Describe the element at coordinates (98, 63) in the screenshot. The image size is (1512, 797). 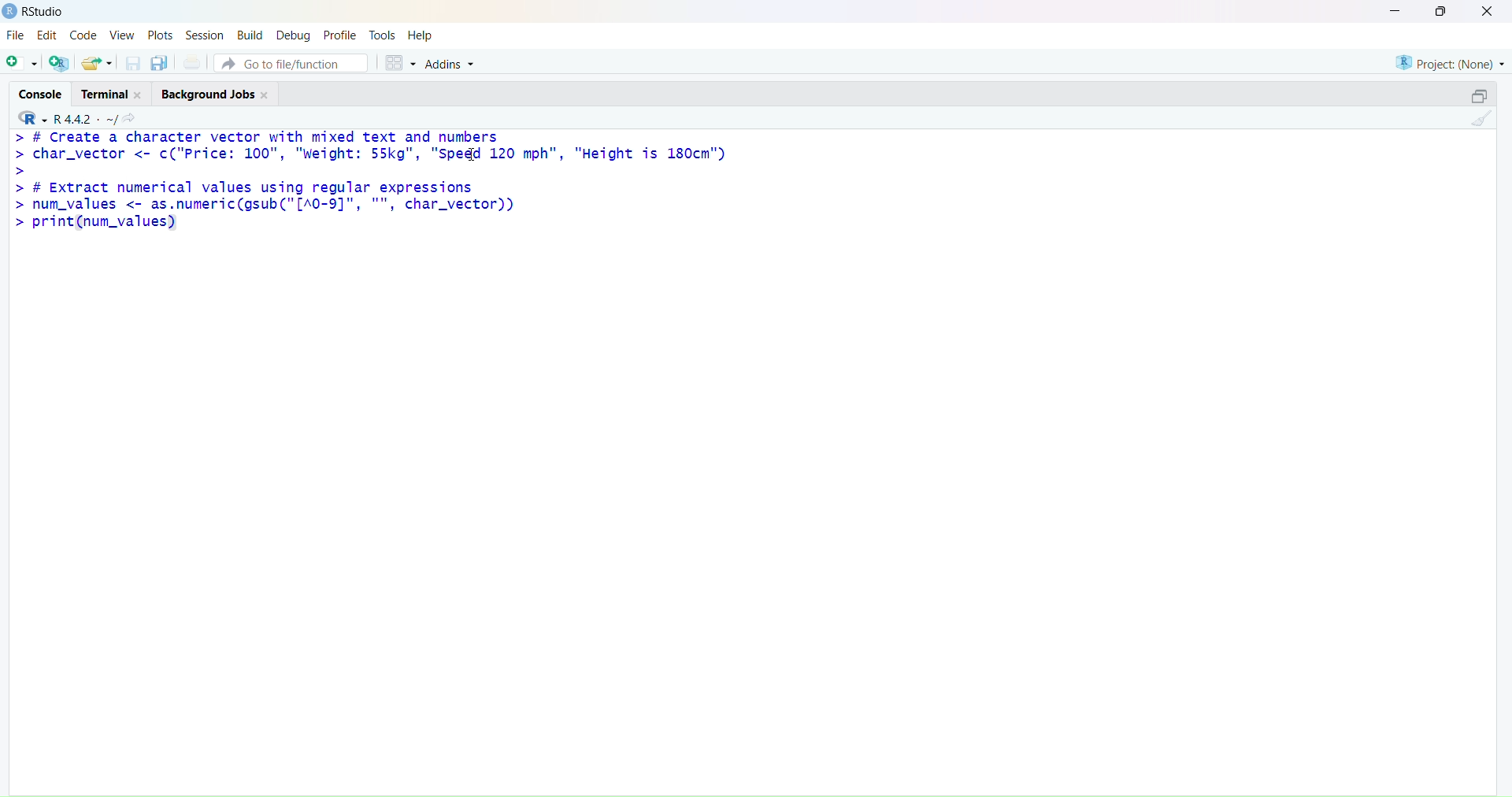
I see `share as` at that location.